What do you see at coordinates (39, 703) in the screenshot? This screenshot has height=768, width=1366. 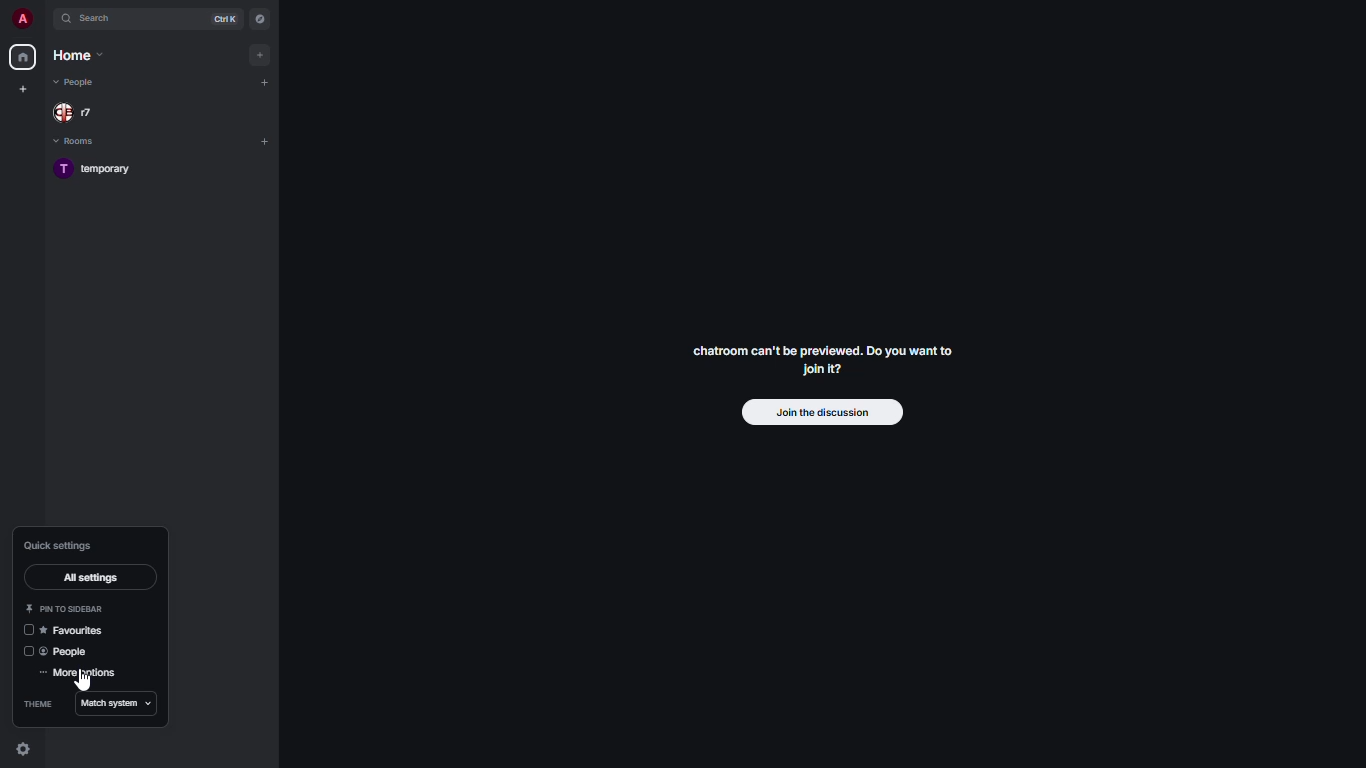 I see `theme` at bounding box center [39, 703].